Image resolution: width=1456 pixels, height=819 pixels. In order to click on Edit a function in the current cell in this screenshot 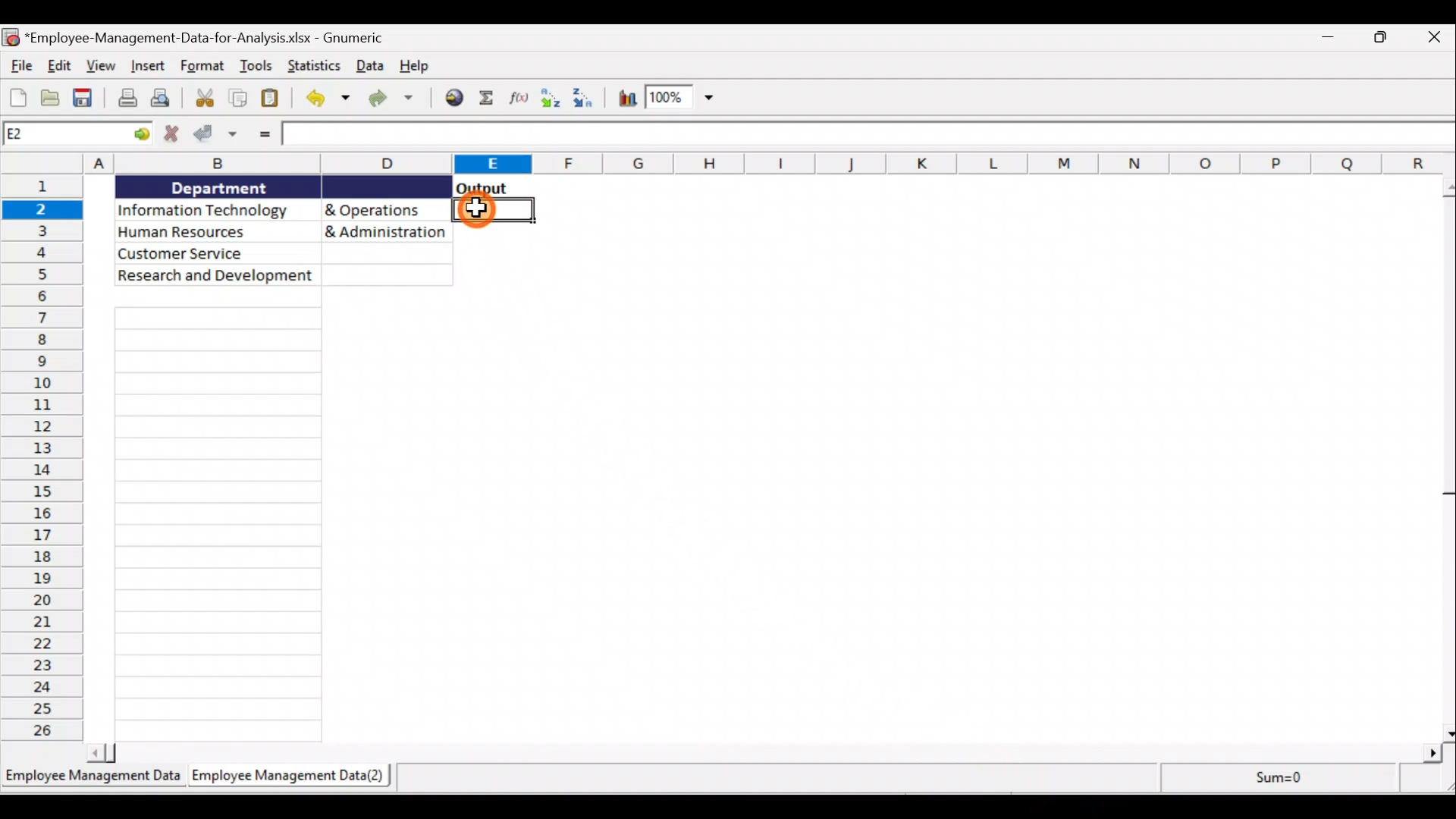, I will do `click(518, 96)`.